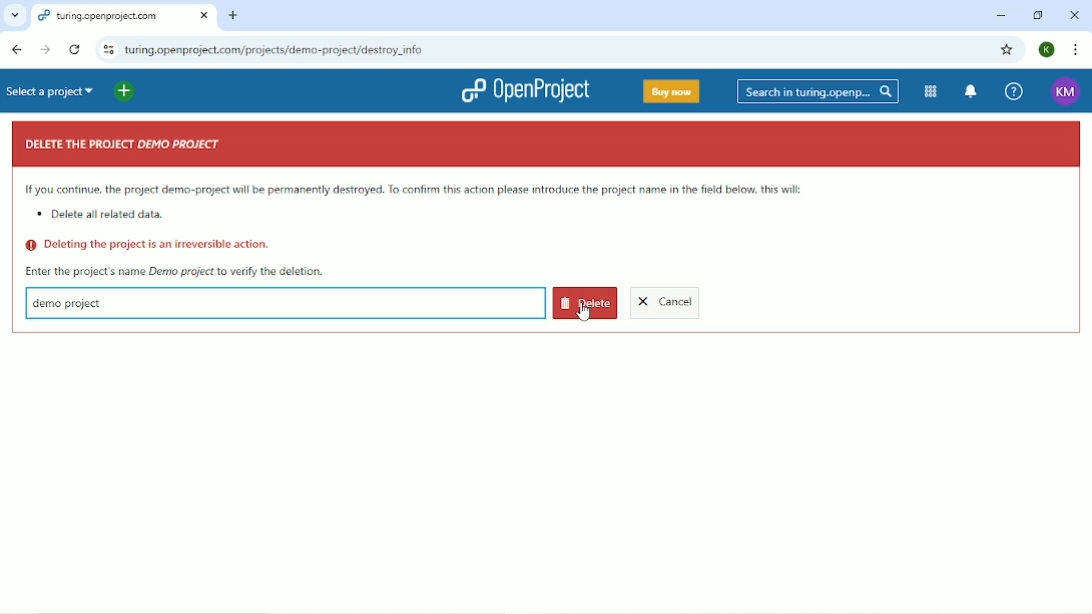  Describe the element at coordinates (998, 17) in the screenshot. I see `Minimize` at that location.